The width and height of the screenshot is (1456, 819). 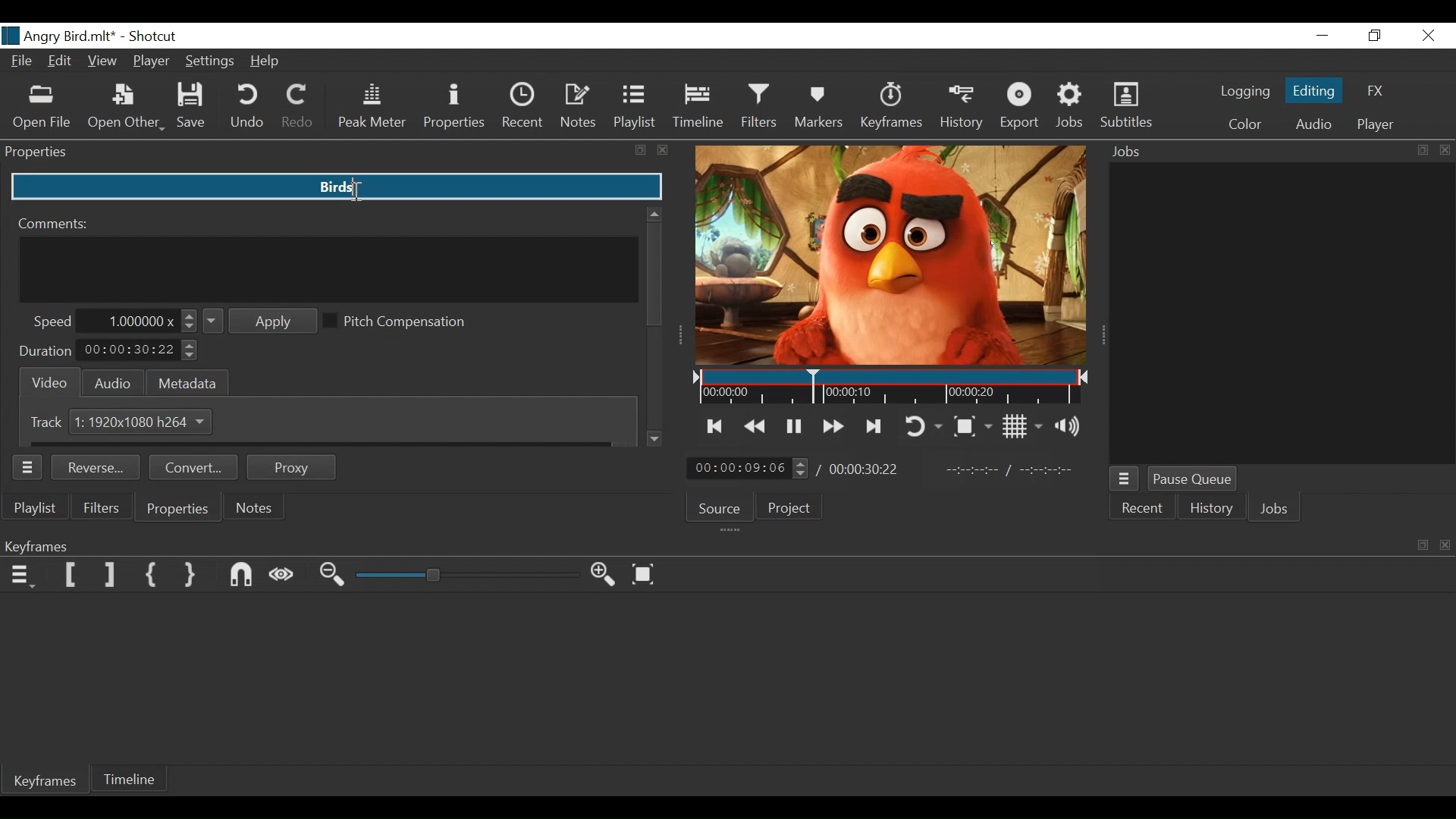 What do you see at coordinates (1278, 310) in the screenshot?
I see `Jobs Panel` at bounding box center [1278, 310].